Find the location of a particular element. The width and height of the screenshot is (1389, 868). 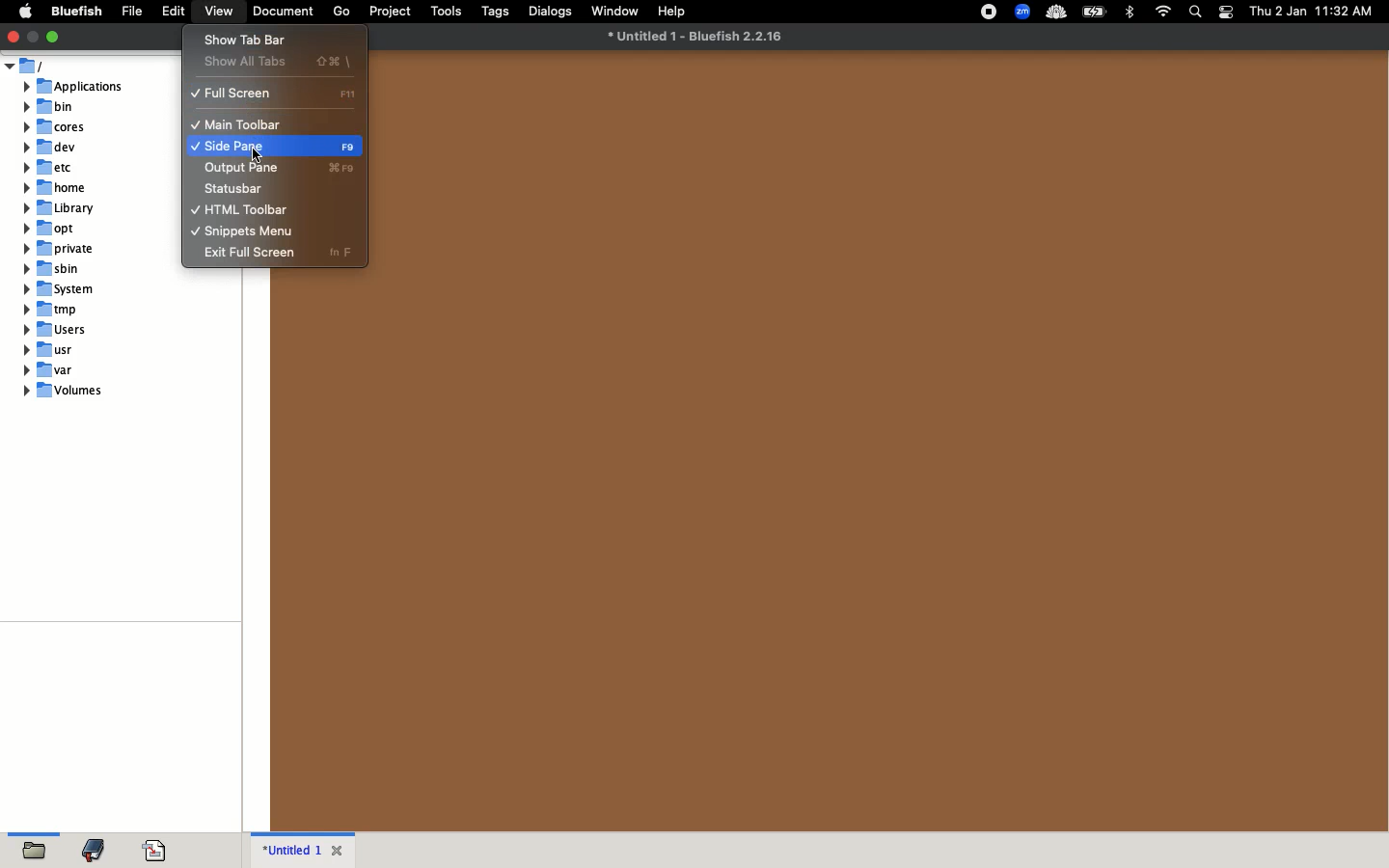

cursor is located at coordinates (256, 155).